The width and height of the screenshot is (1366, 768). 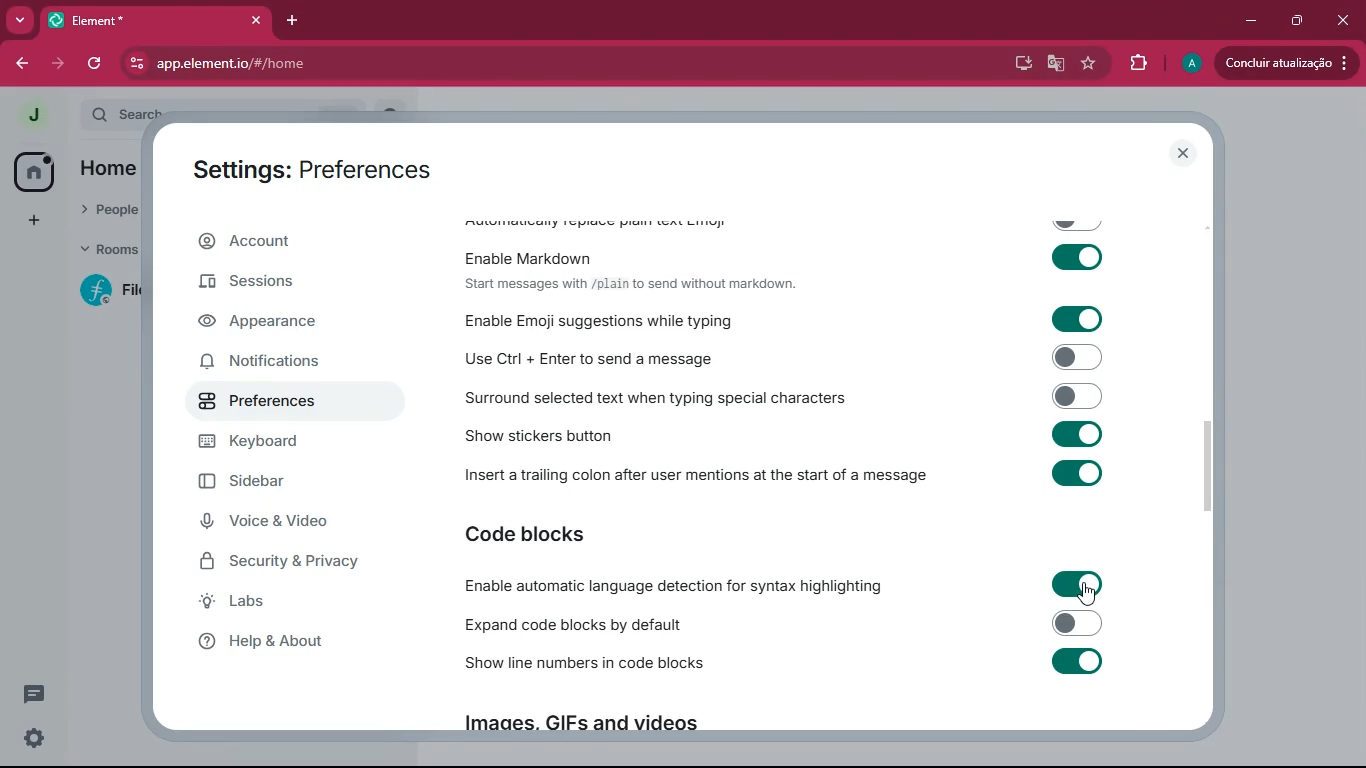 I want to click on desktop, so click(x=1021, y=64).